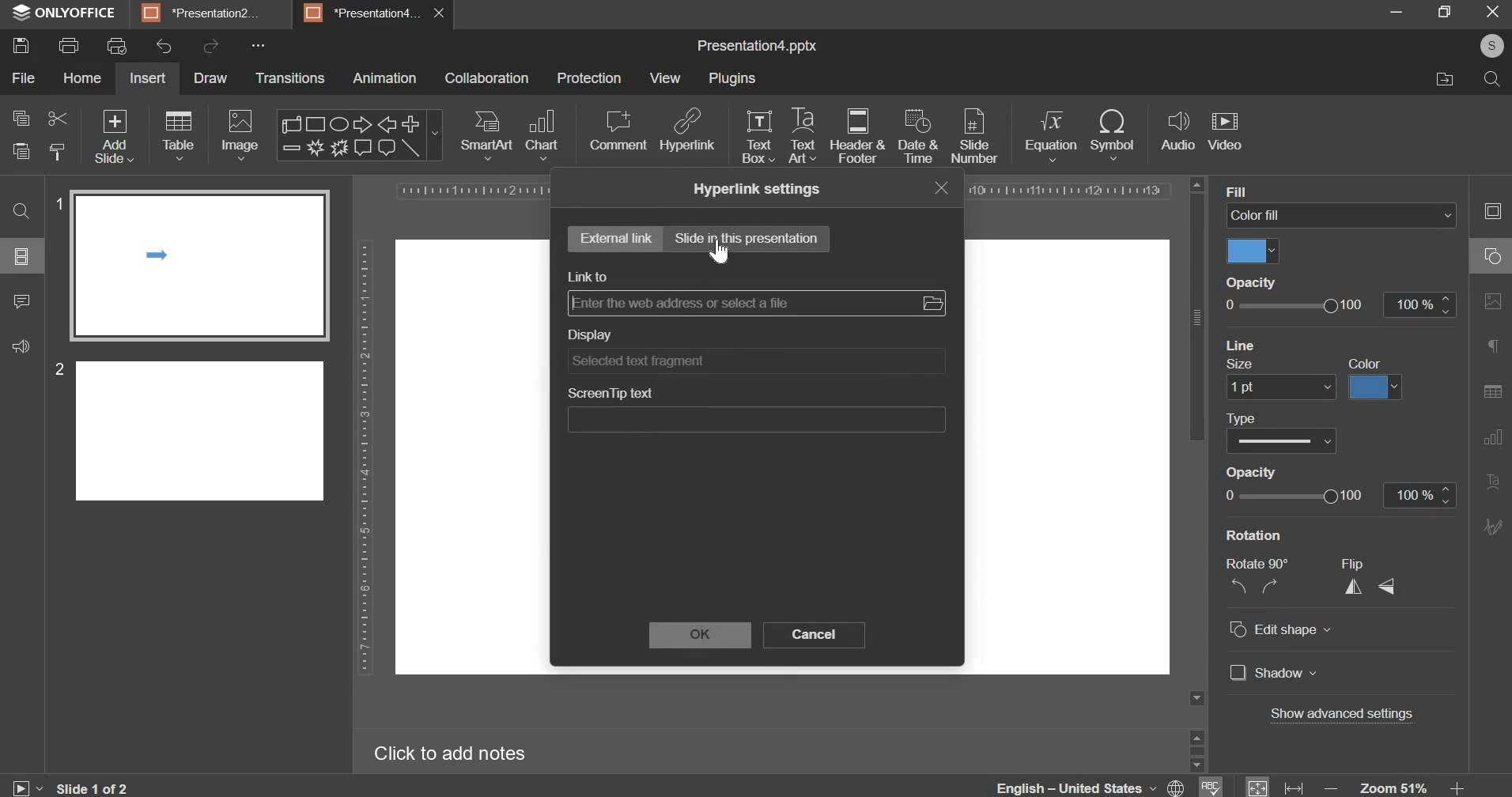 The width and height of the screenshot is (1512, 797). Describe the element at coordinates (291, 79) in the screenshot. I see `transitions` at that location.